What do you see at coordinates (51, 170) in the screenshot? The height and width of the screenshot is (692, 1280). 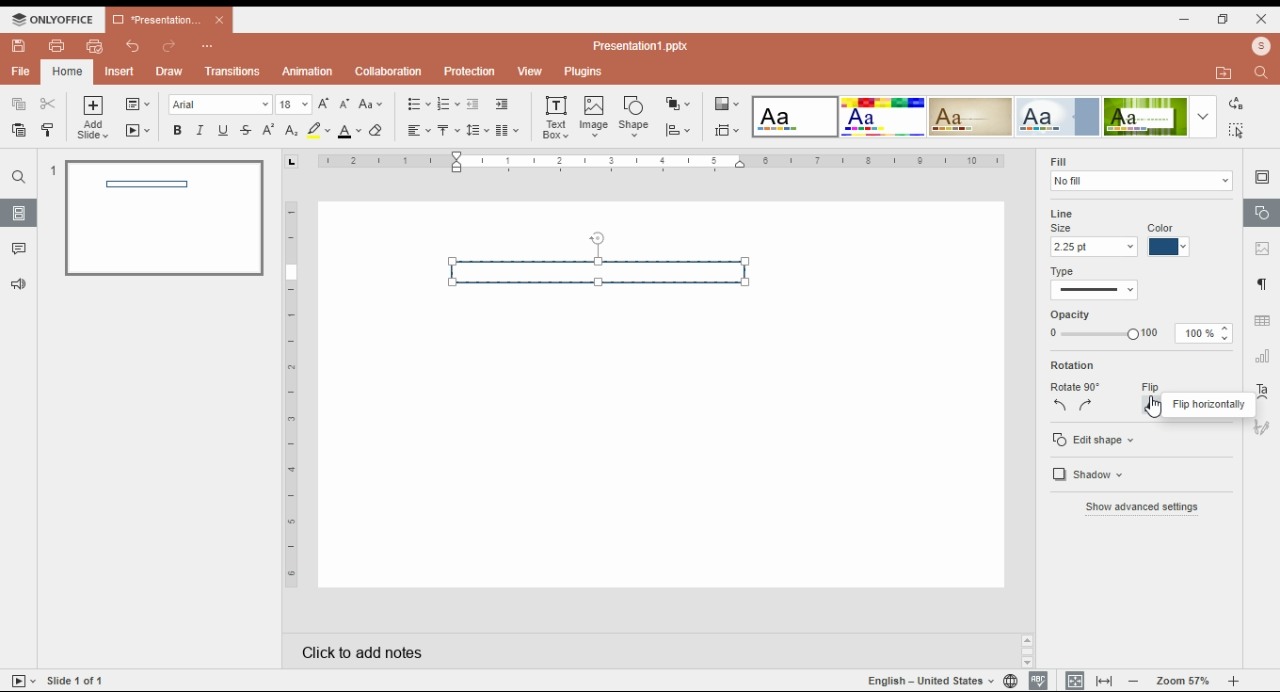 I see `1` at bounding box center [51, 170].